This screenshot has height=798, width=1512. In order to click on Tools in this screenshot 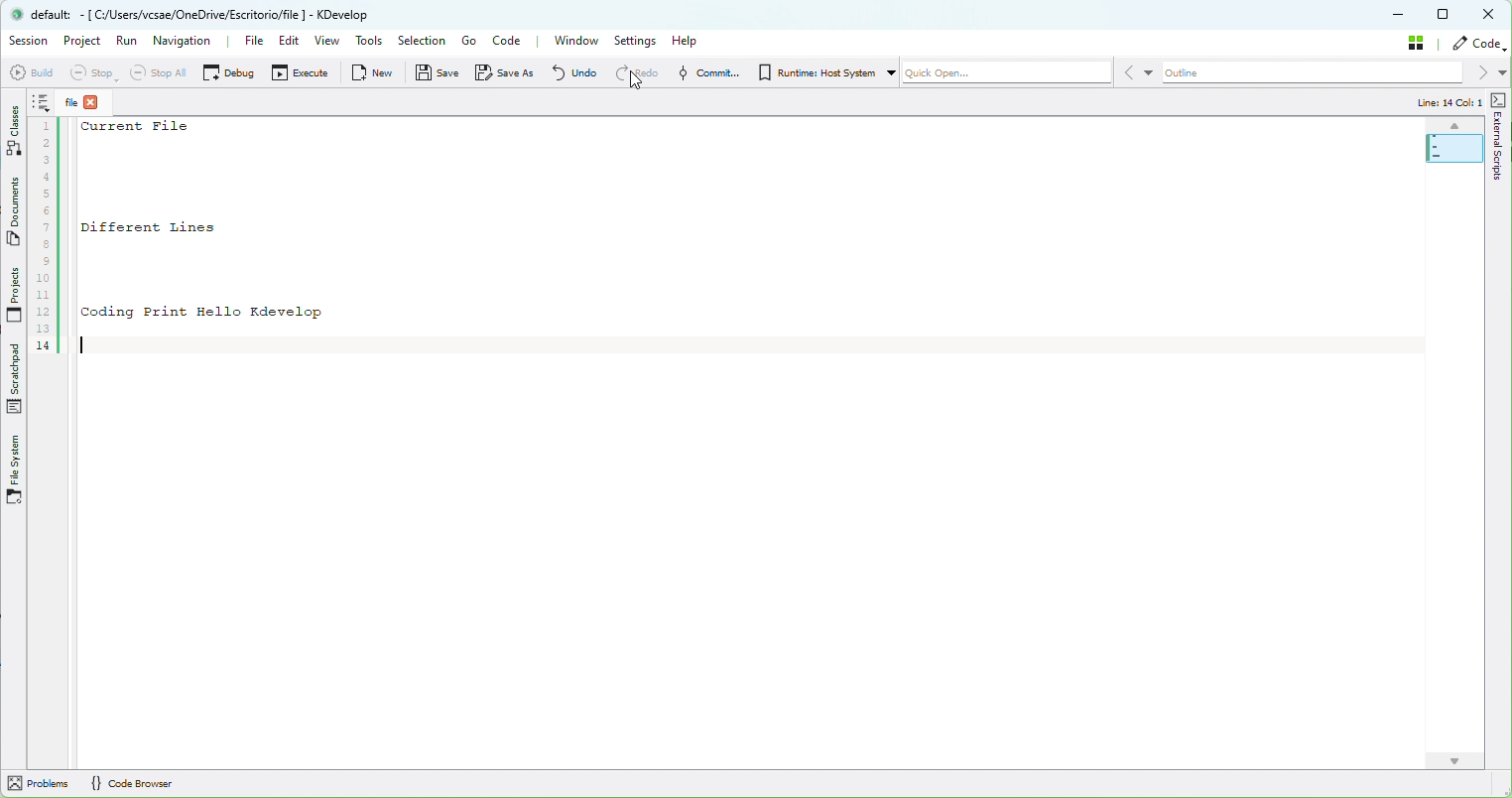, I will do `click(374, 40)`.